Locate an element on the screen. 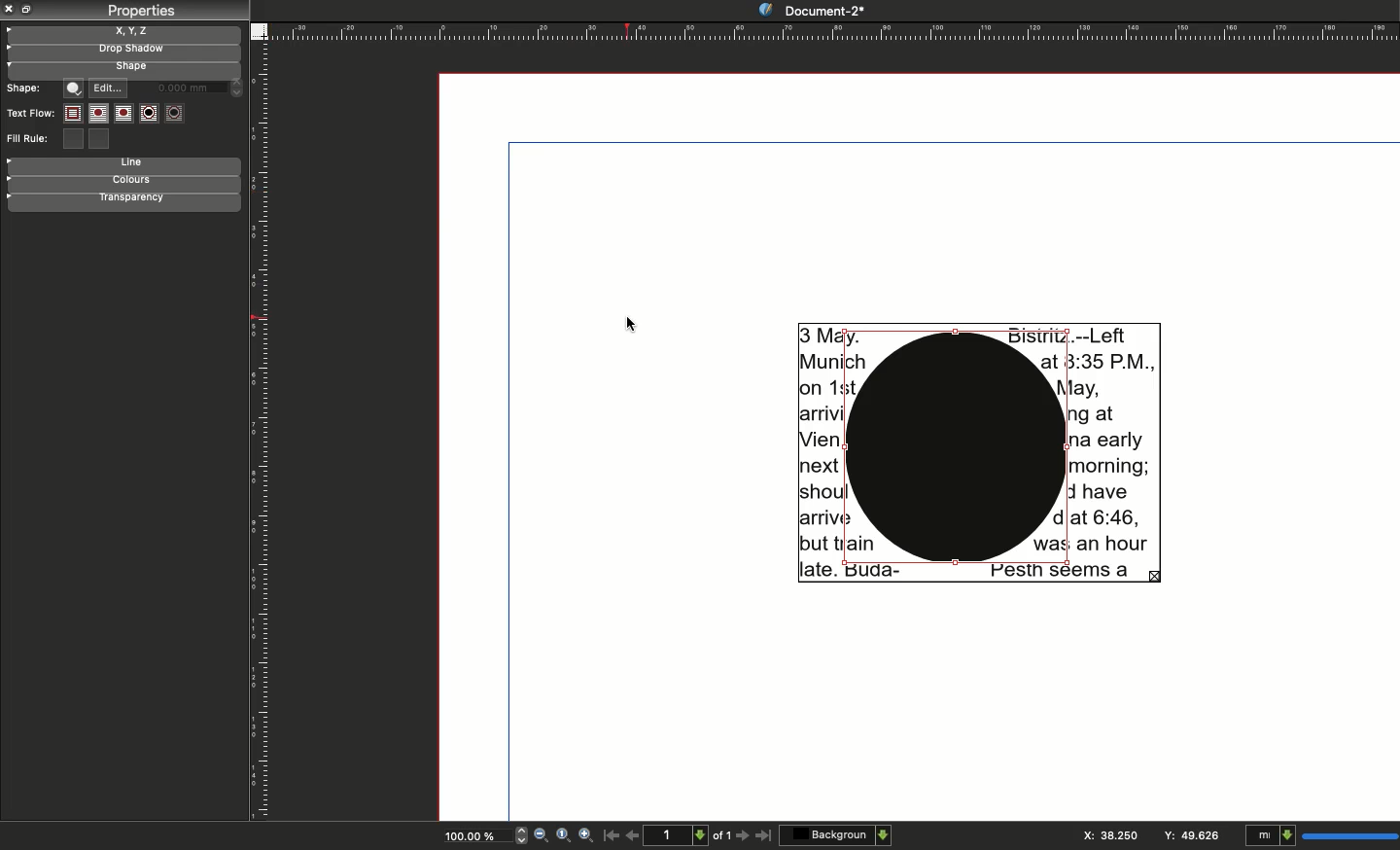 This screenshot has width=1400, height=850. Shape is located at coordinates (76, 89).